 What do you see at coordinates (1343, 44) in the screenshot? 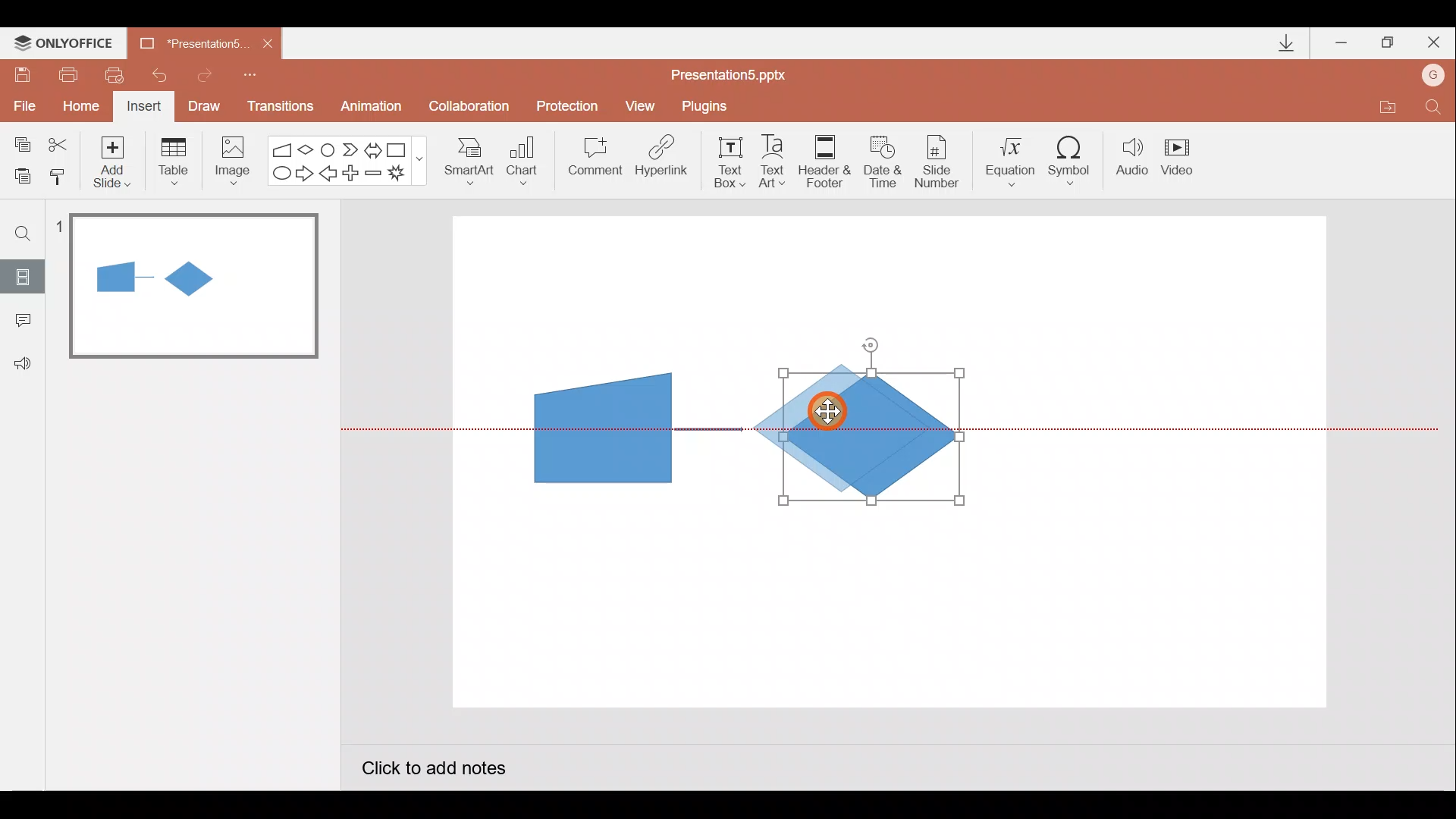
I see `Minimize` at bounding box center [1343, 44].